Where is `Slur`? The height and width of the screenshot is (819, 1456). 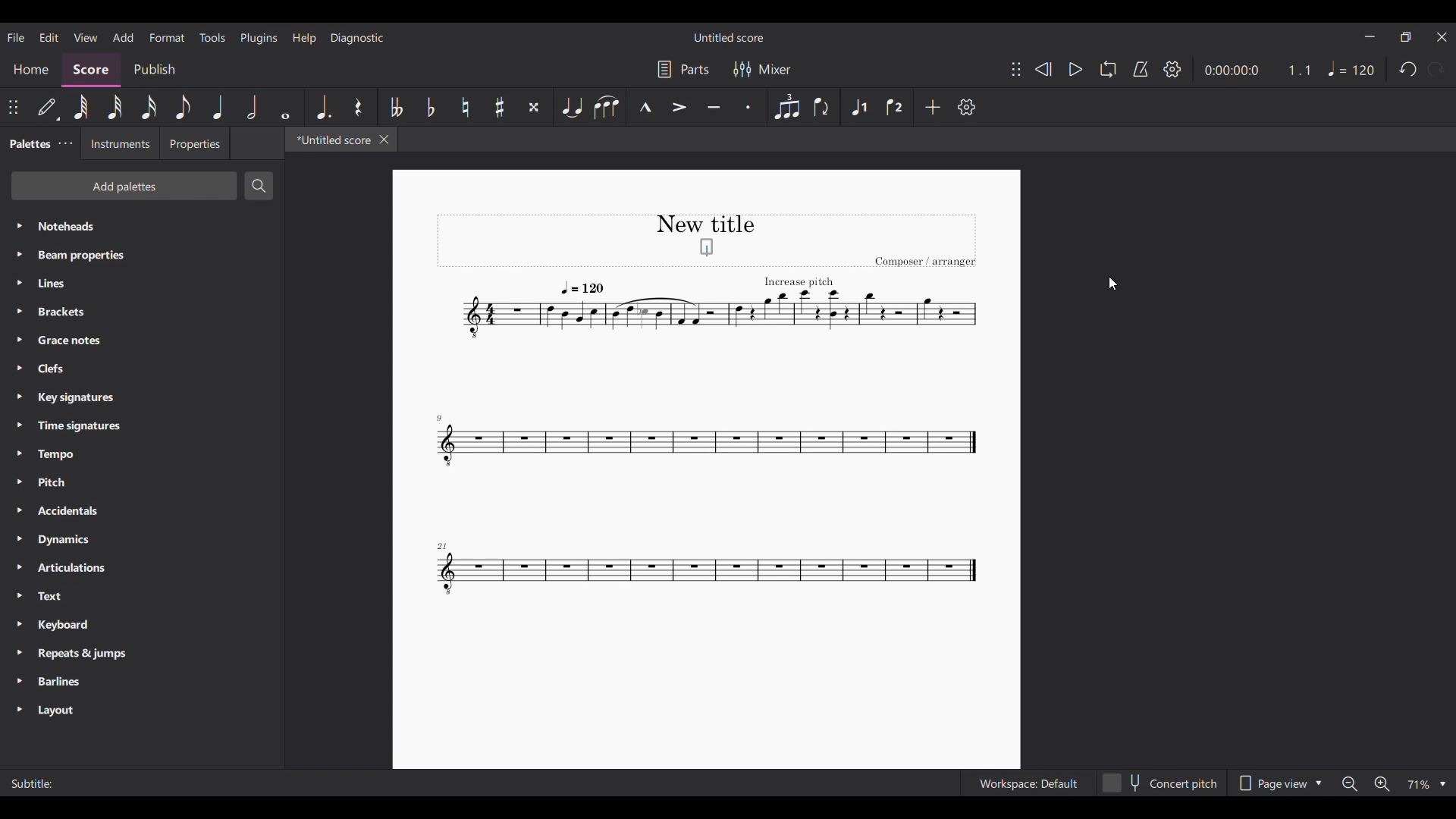 Slur is located at coordinates (607, 107).